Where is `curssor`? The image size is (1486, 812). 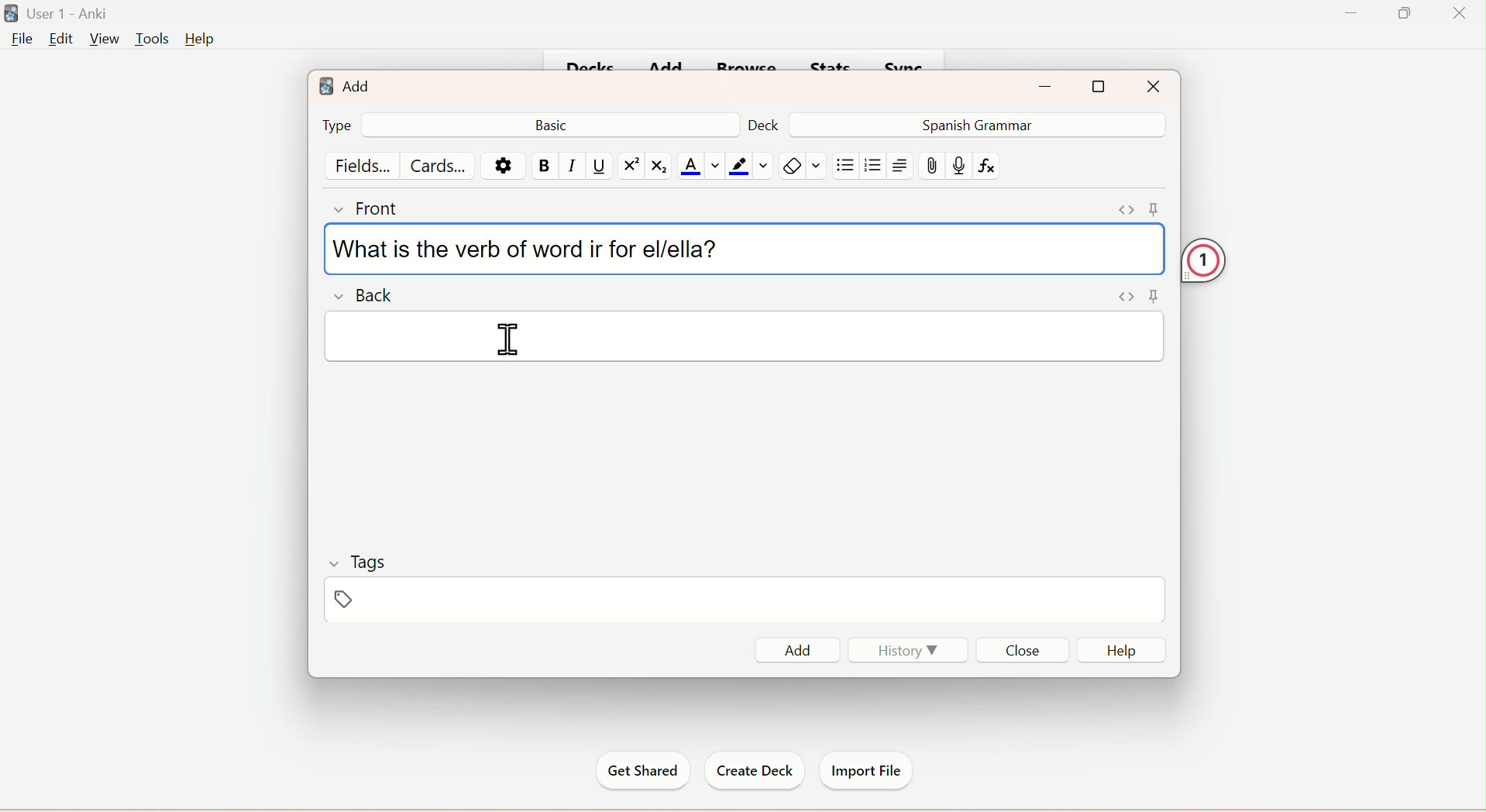
curssor is located at coordinates (505, 348).